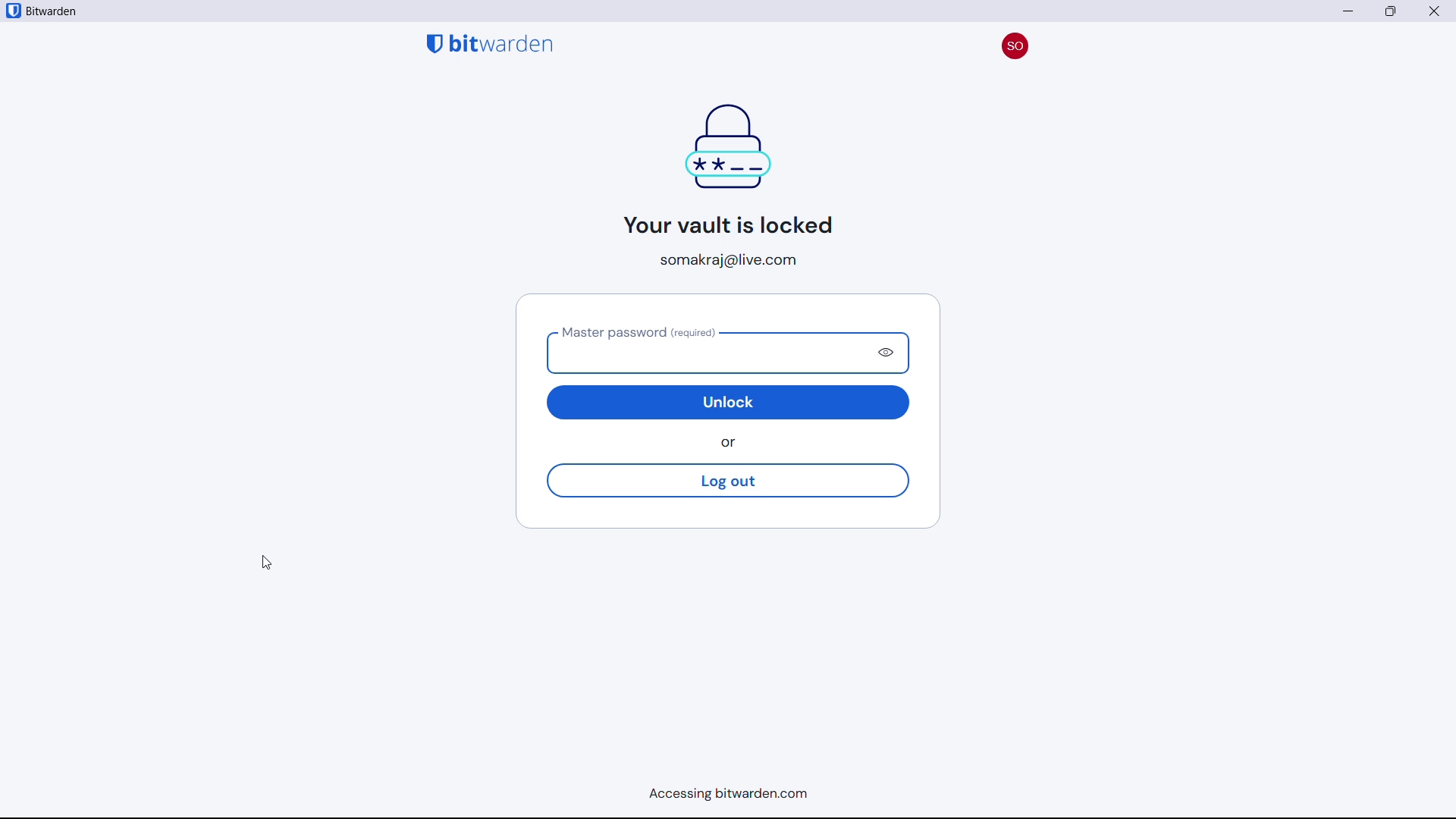  What do you see at coordinates (730, 402) in the screenshot?
I see `Unlock ` at bounding box center [730, 402].